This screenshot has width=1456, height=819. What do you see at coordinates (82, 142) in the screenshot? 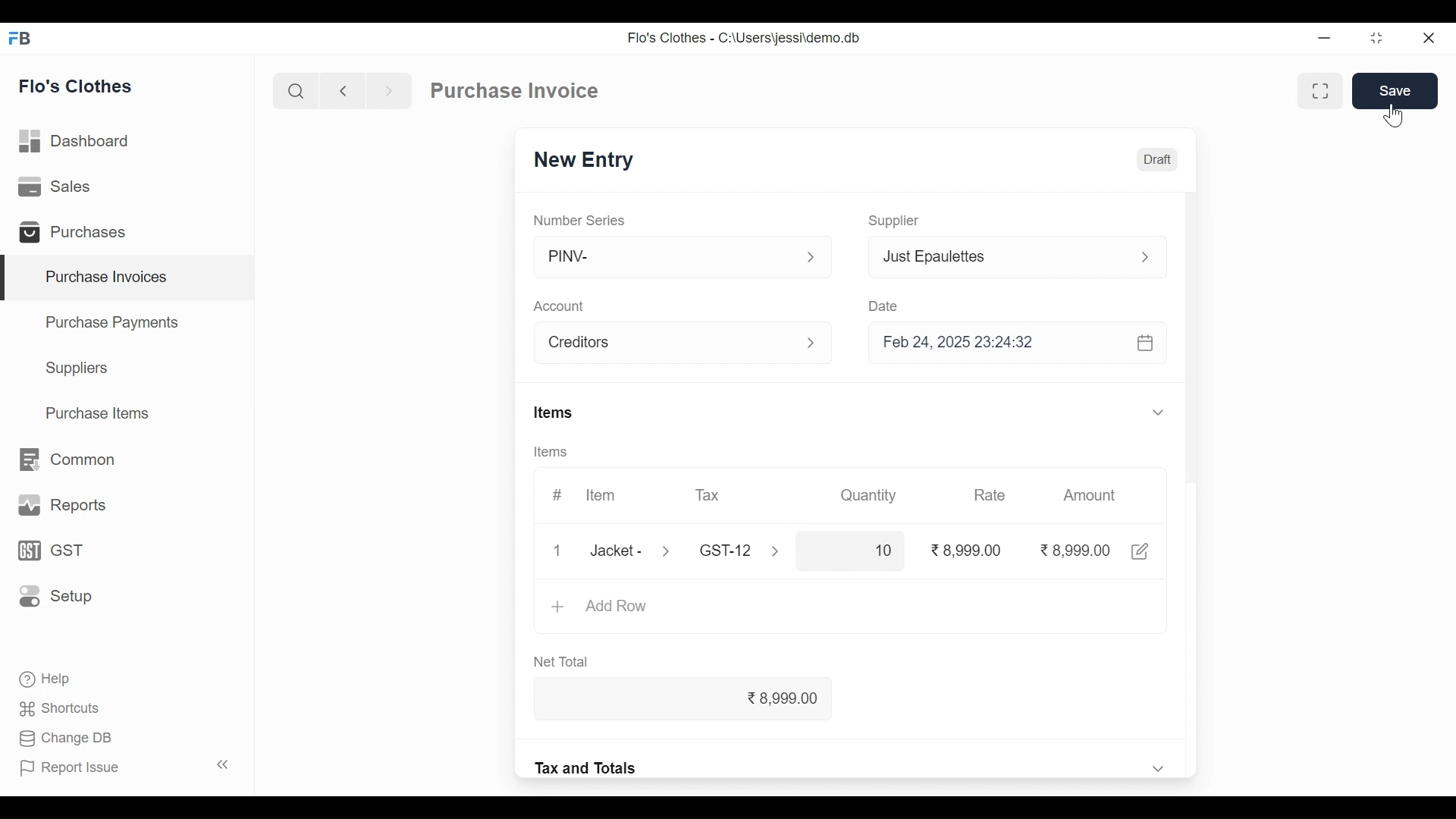
I see `Dashboard` at bounding box center [82, 142].